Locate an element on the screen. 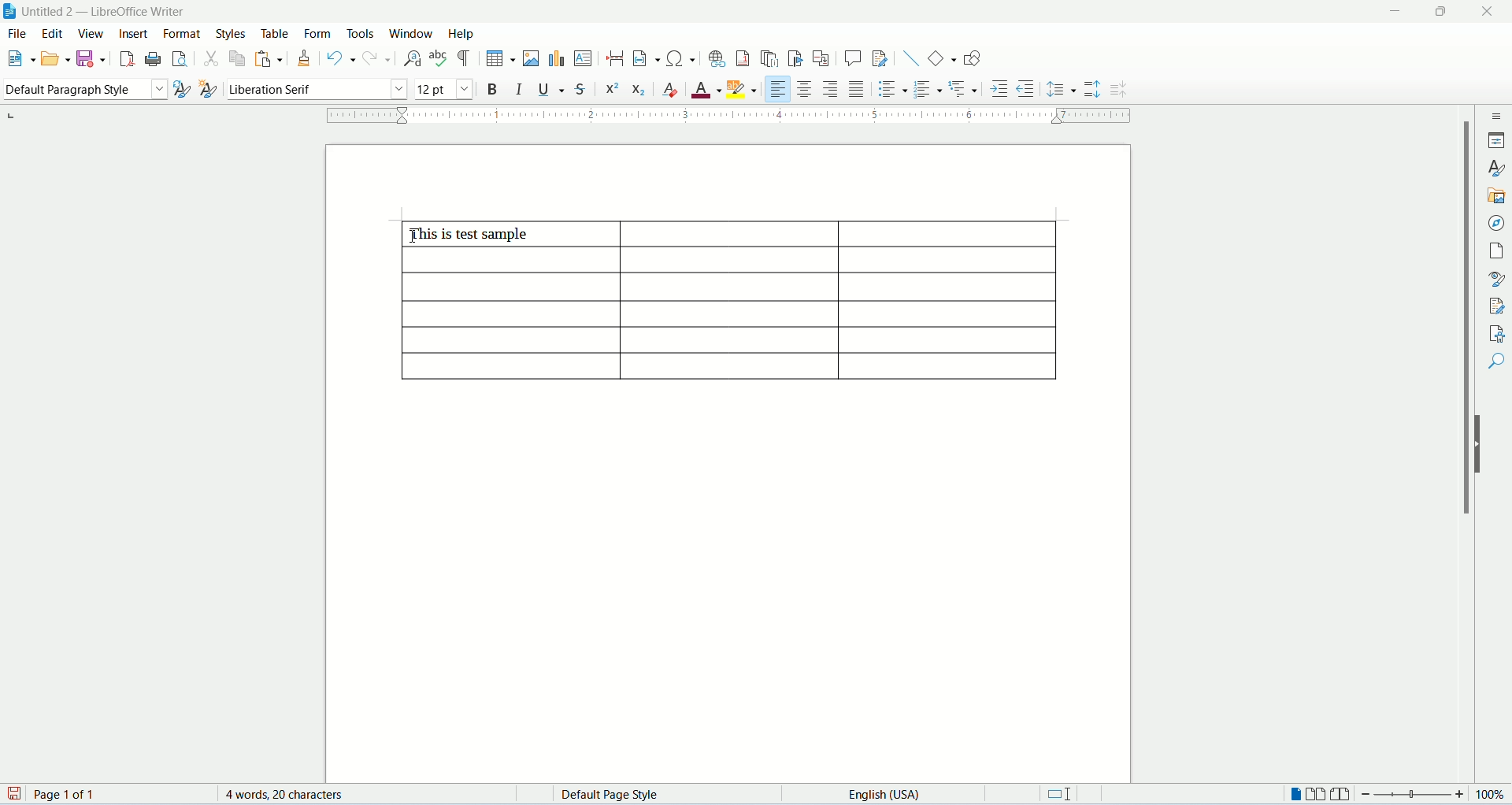  appliction icon is located at coordinates (9, 11).